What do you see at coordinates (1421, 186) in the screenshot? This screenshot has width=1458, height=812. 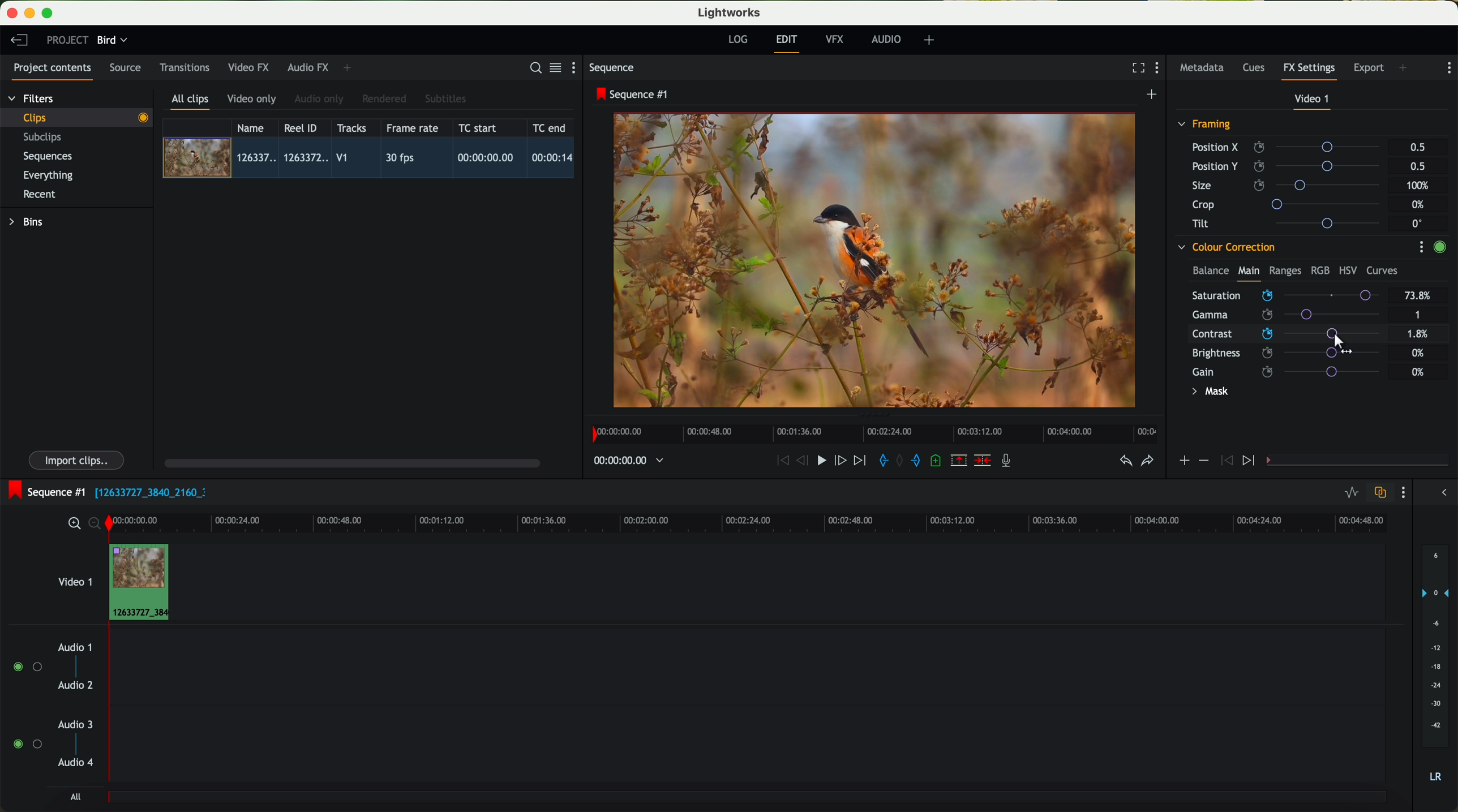 I see `100%` at bounding box center [1421, 186].